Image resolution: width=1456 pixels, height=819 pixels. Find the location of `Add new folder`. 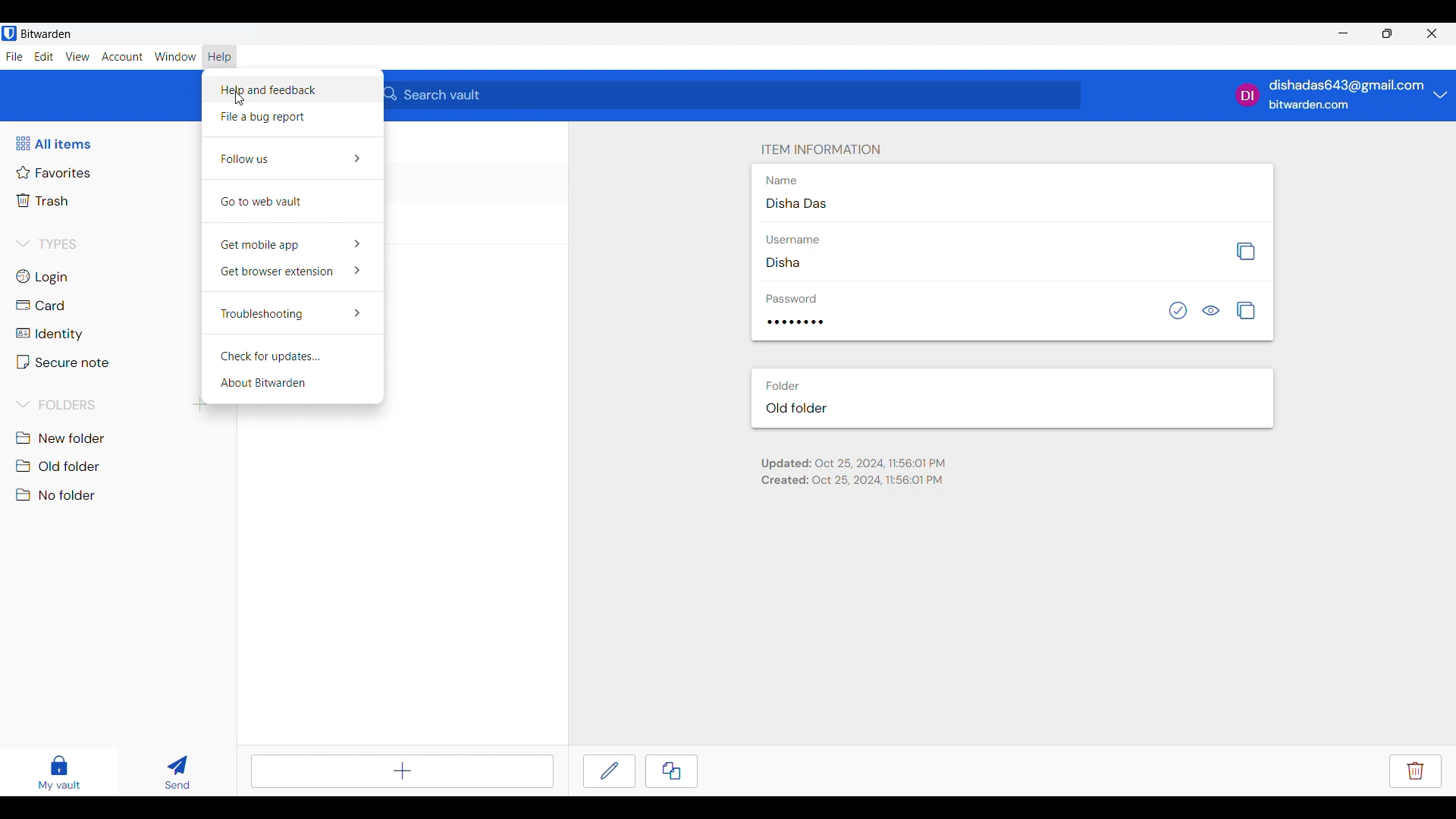

Add new folder is located at coordinates (200, 405).